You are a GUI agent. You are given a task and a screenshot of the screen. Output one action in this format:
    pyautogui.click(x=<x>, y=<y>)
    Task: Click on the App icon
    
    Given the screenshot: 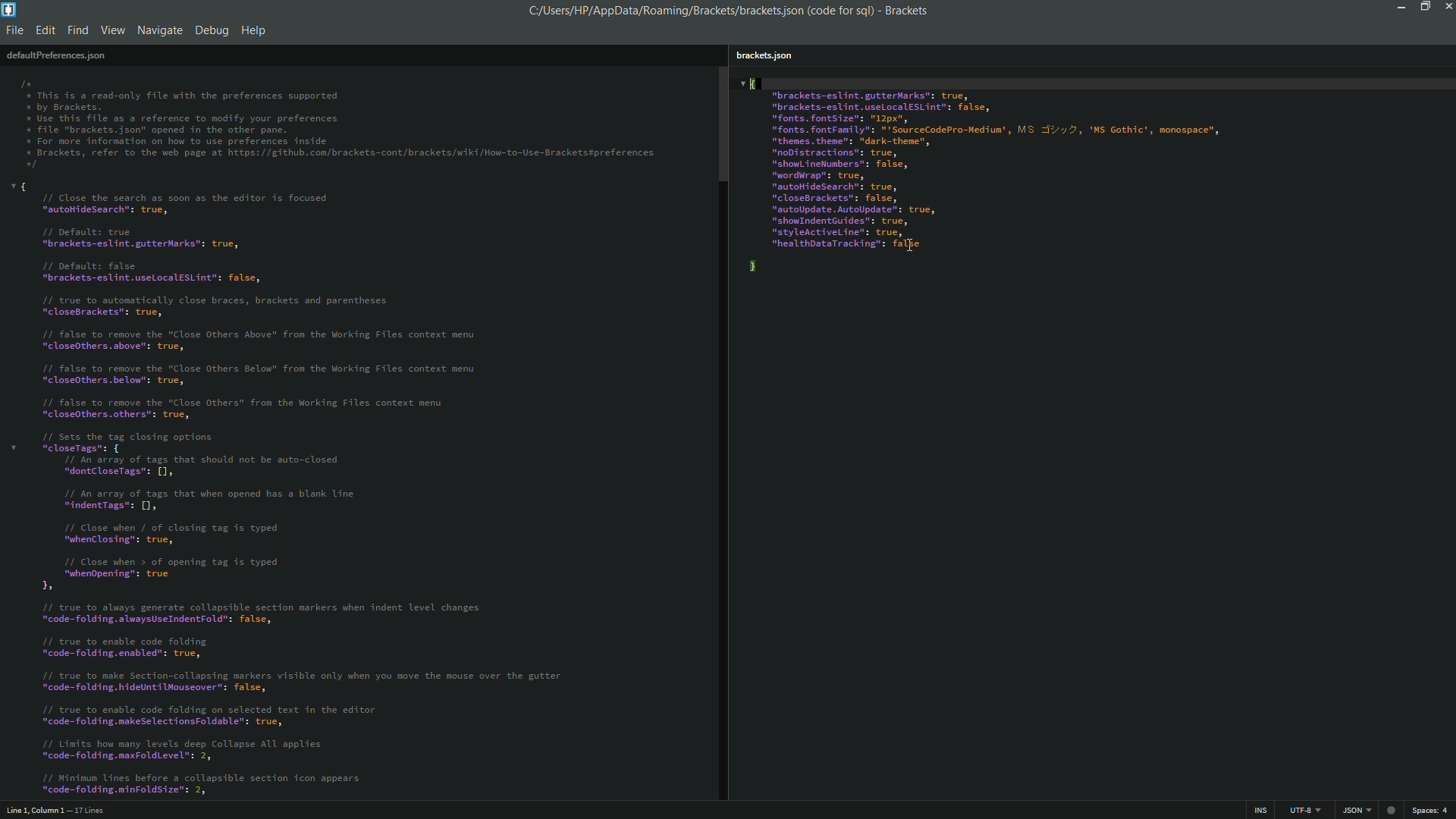 What is the action you would take?
    pyautogui.click(x=11, y=10)
    